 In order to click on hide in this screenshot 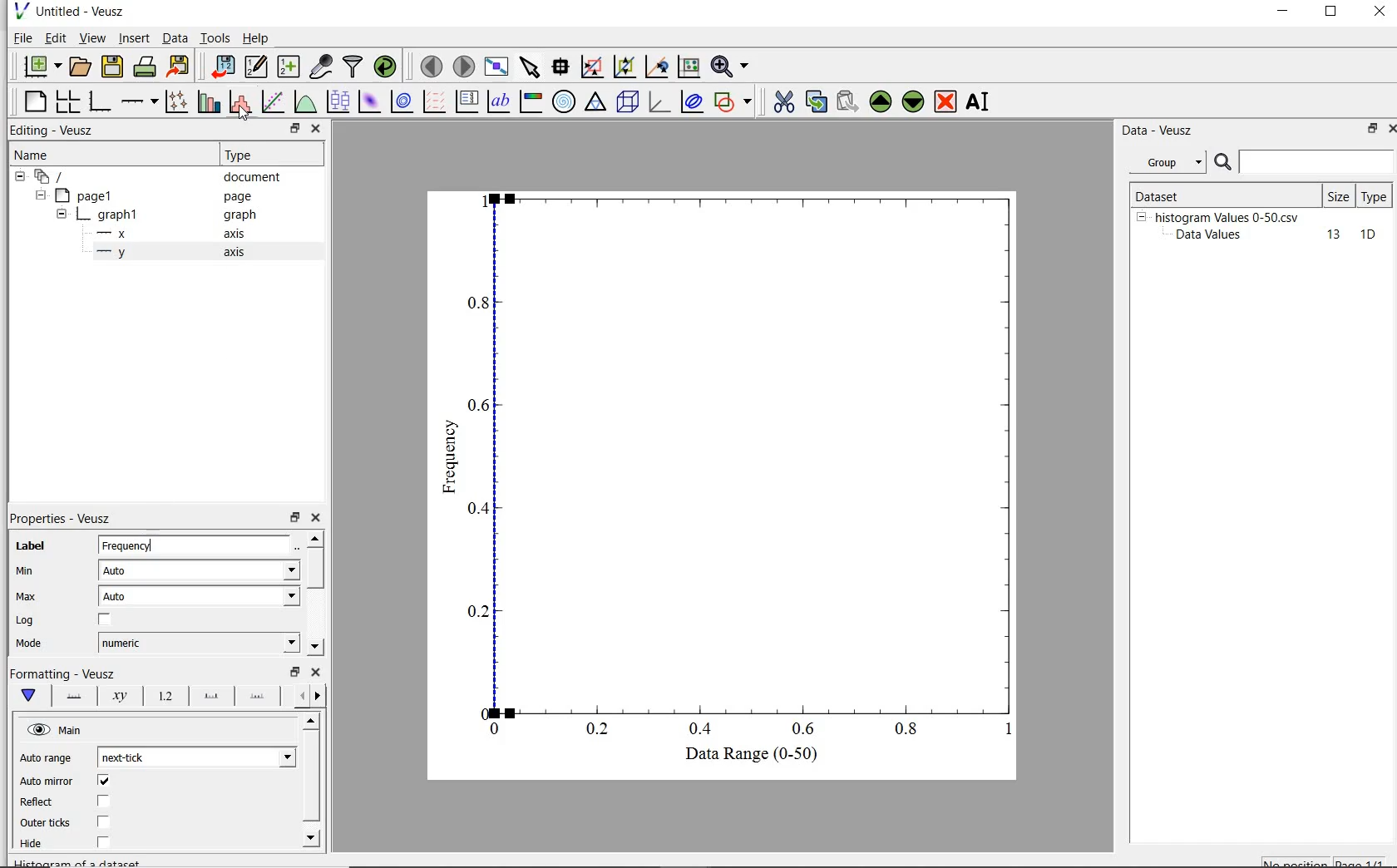, I will do `click(20, 177)`.